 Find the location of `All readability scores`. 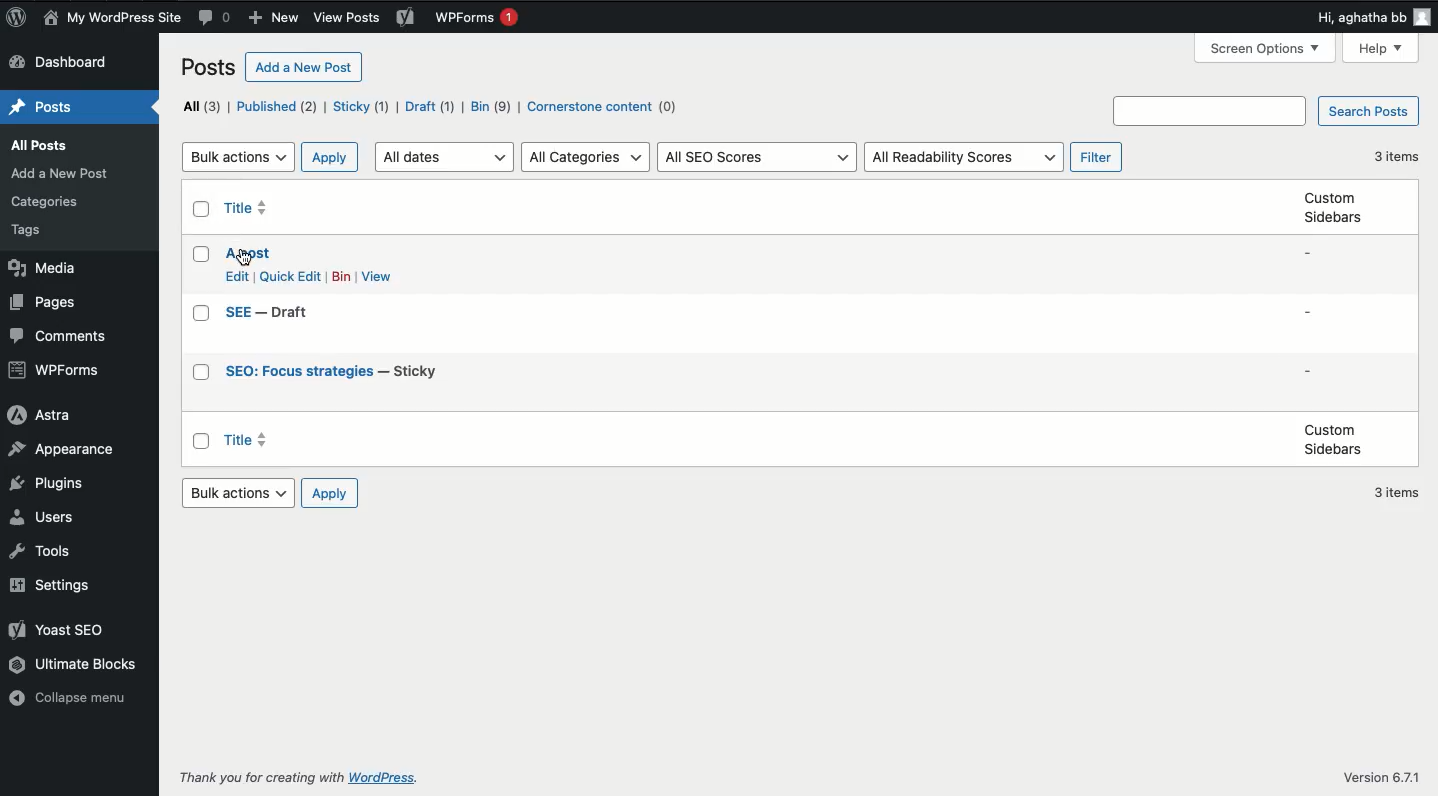

All readability scores is located at coordinates (964, 158).